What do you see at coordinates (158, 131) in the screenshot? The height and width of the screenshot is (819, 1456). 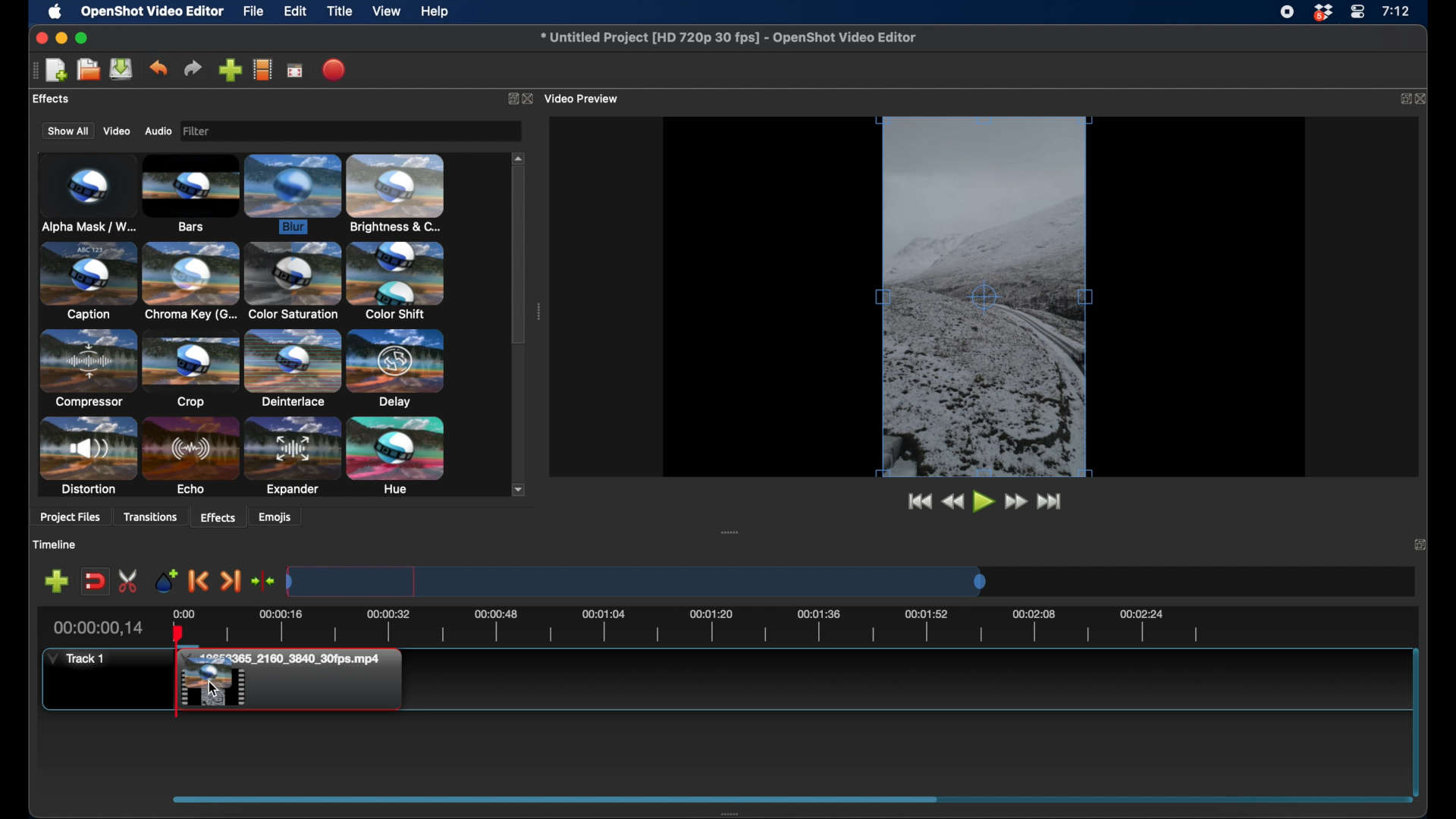 I see `audio` at bounding box center [158, 131].